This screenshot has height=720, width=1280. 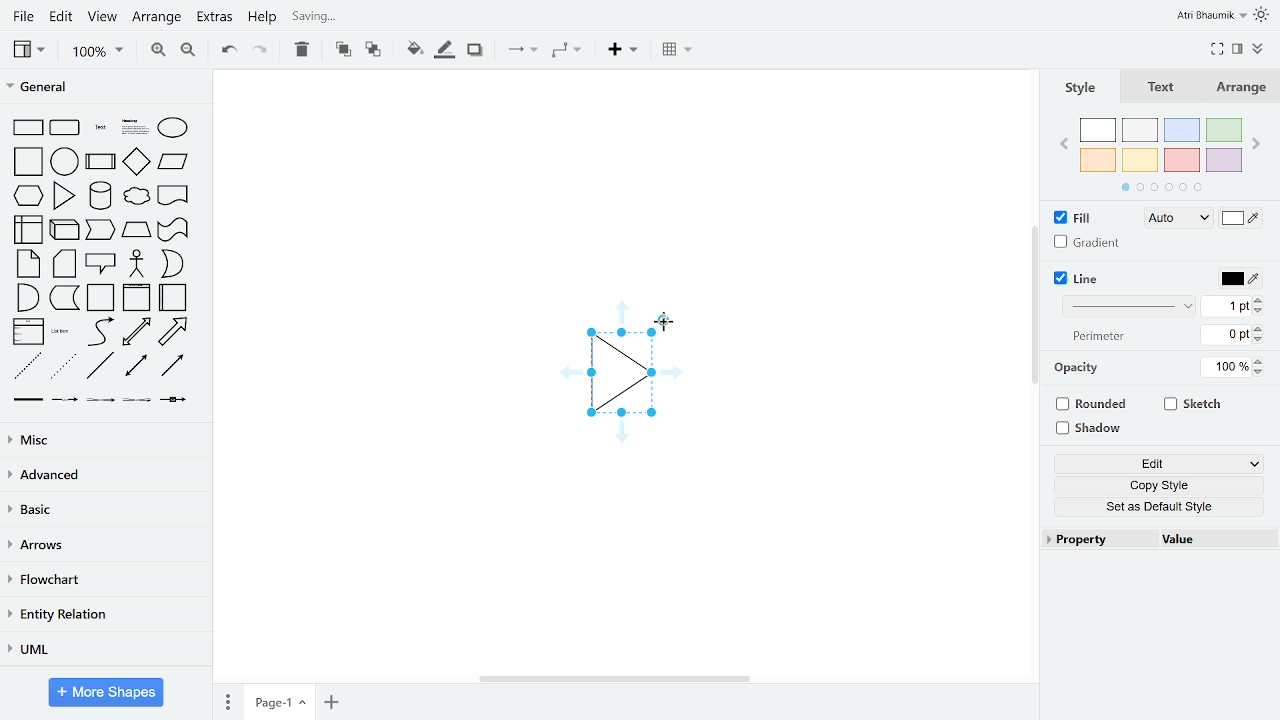 I want to click on format, so click(x=1237, y=48).